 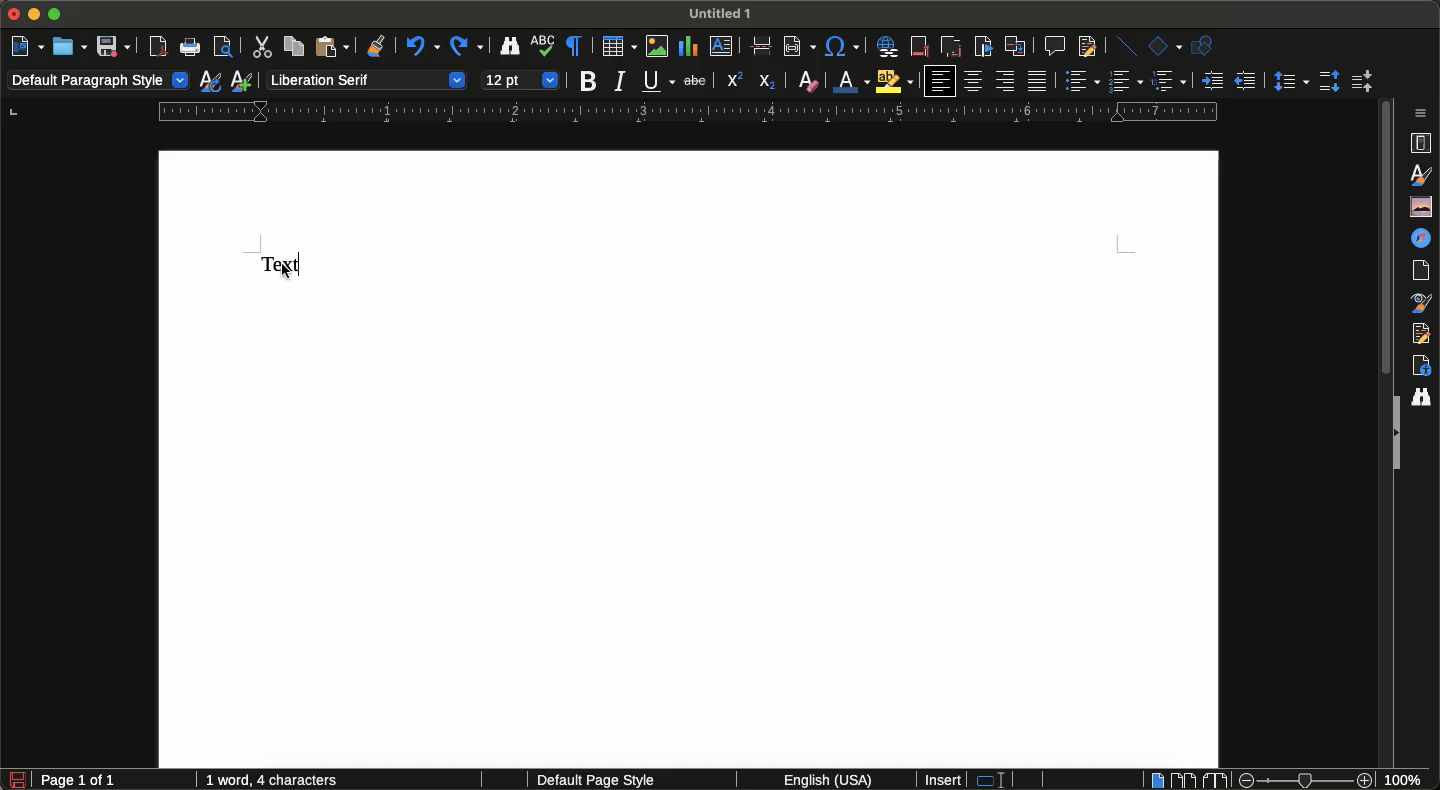 I want to click on Sidebar settings, so click(x=1425, y=112).